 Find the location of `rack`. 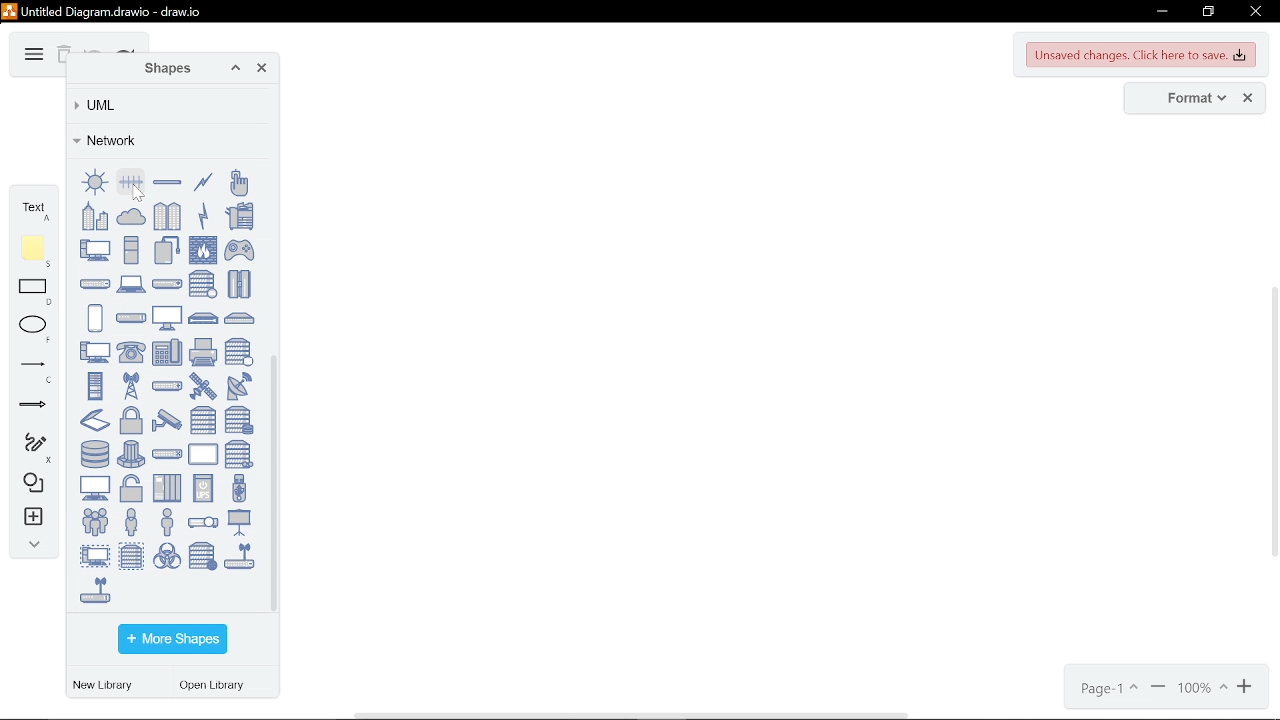

rack is located at coordinates (95, 385).